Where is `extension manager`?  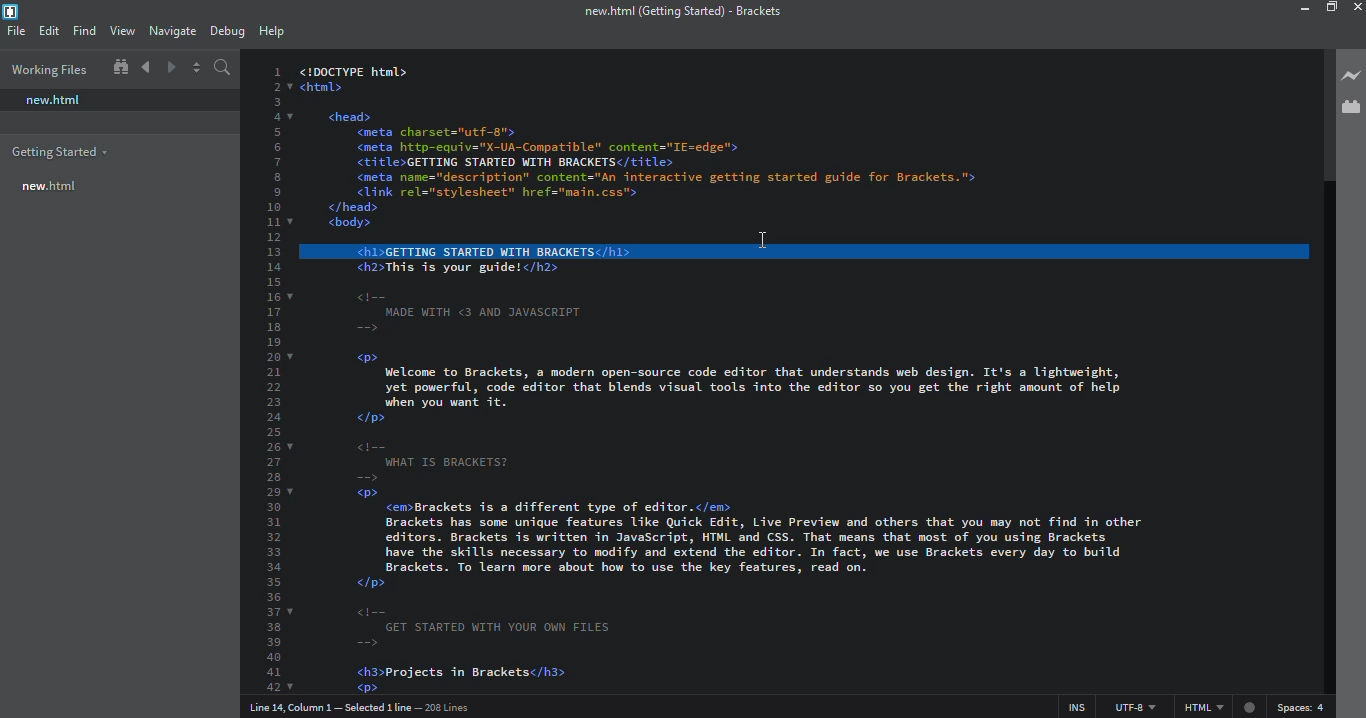
extension manager is located at coordinates (1350, 108).